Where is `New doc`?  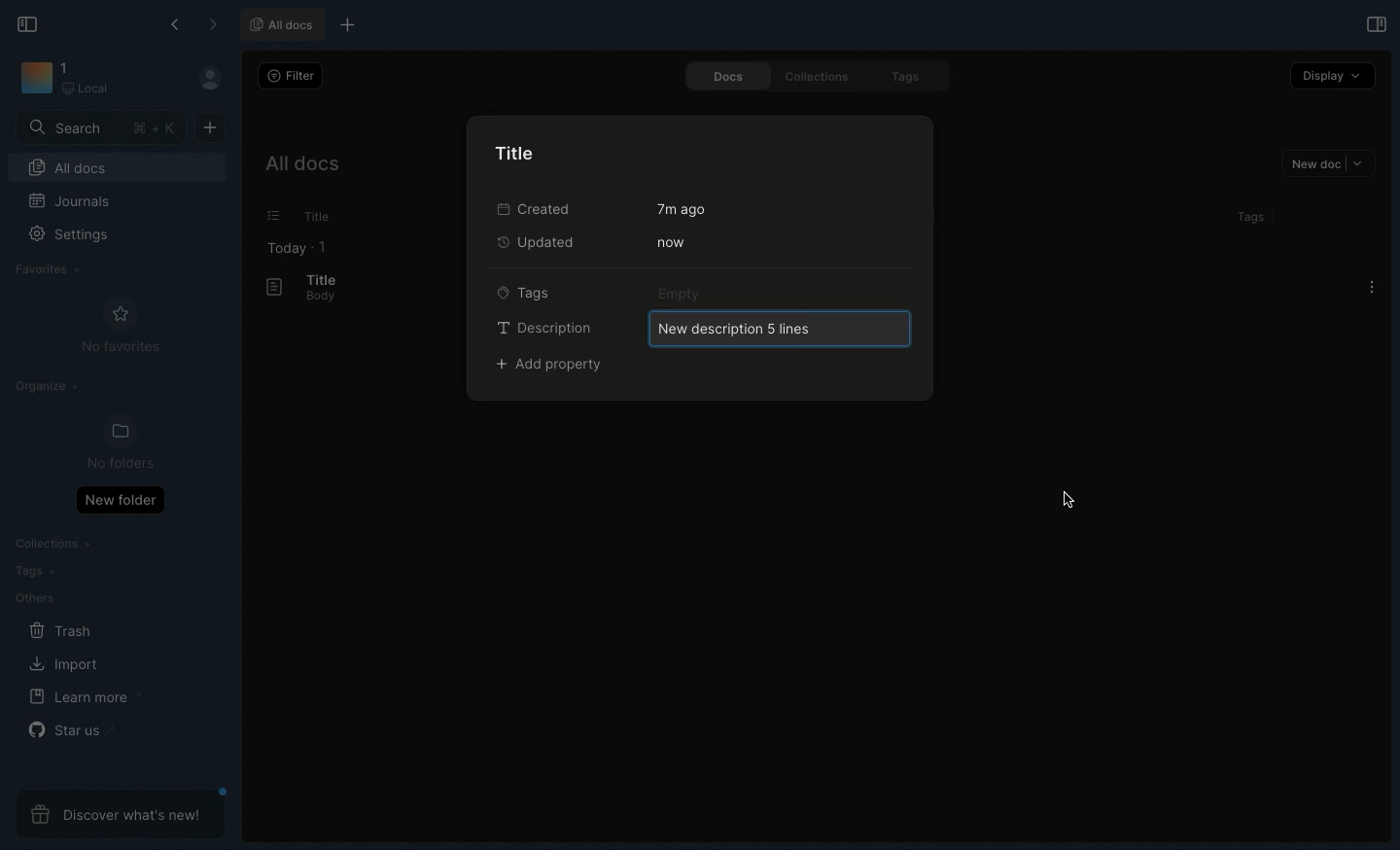 New doc is located at coordinates (210, 125).